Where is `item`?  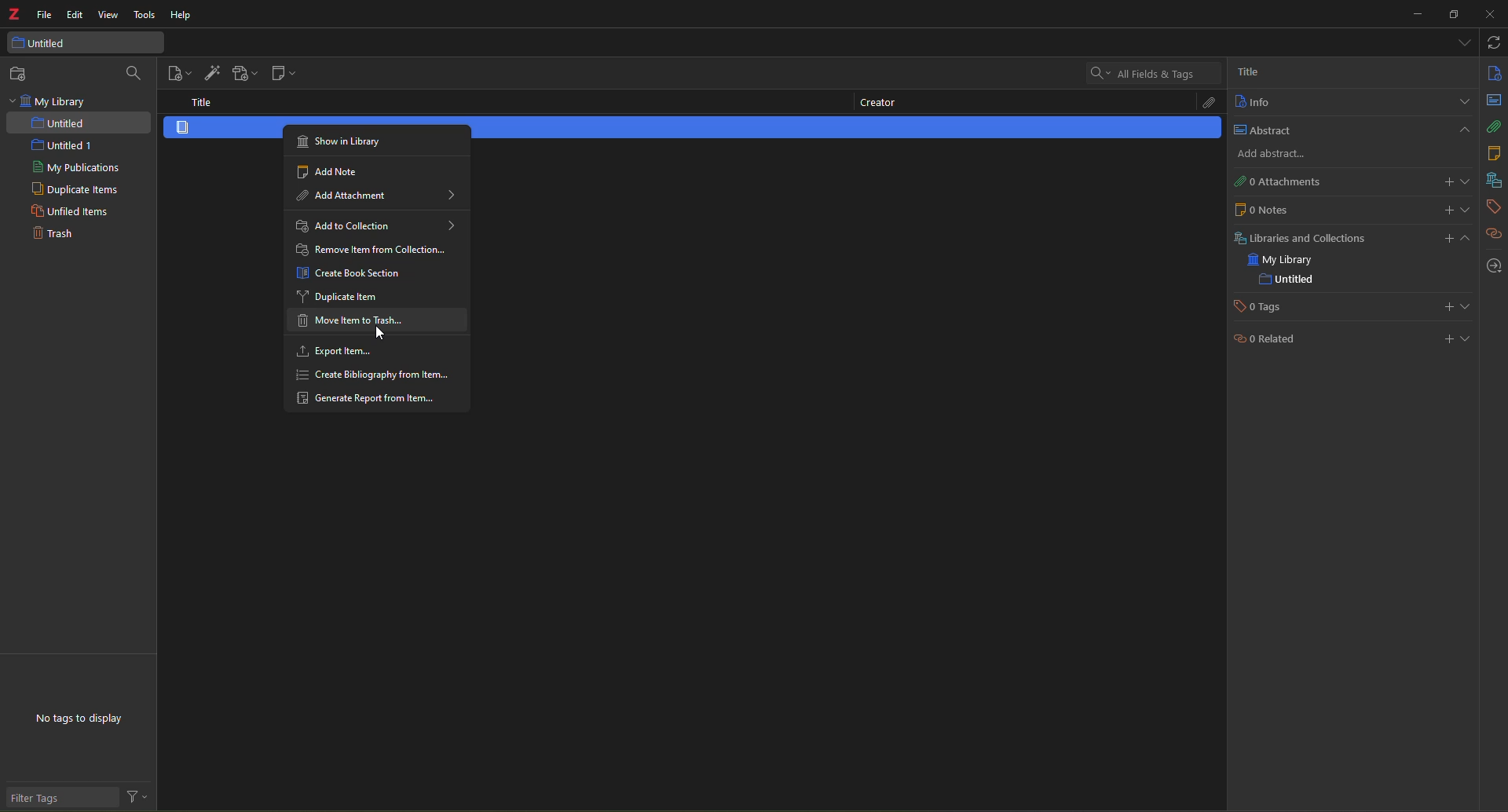 item is located at coordinates (206, 128).